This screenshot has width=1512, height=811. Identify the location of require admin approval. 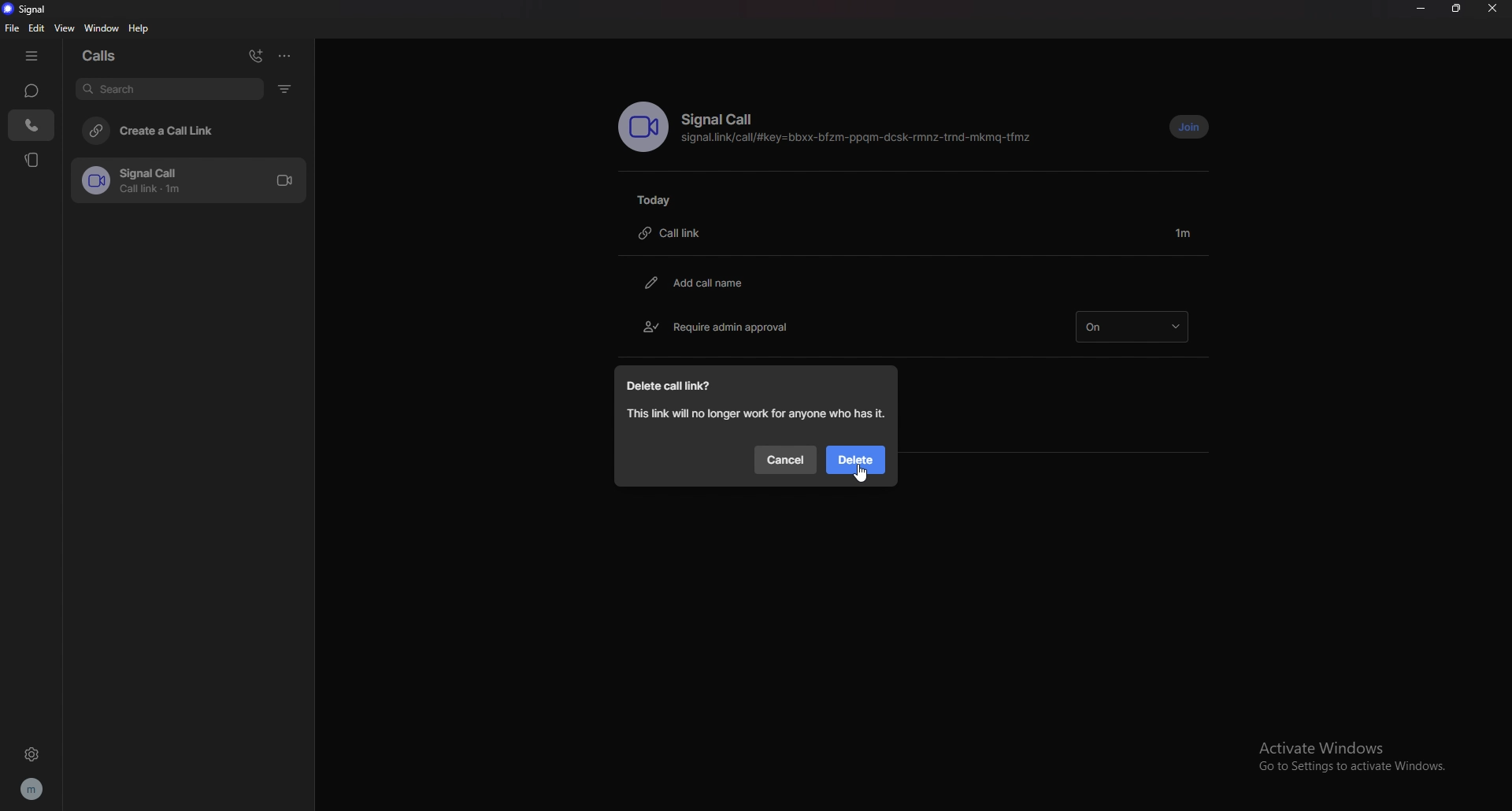
(720, 325).